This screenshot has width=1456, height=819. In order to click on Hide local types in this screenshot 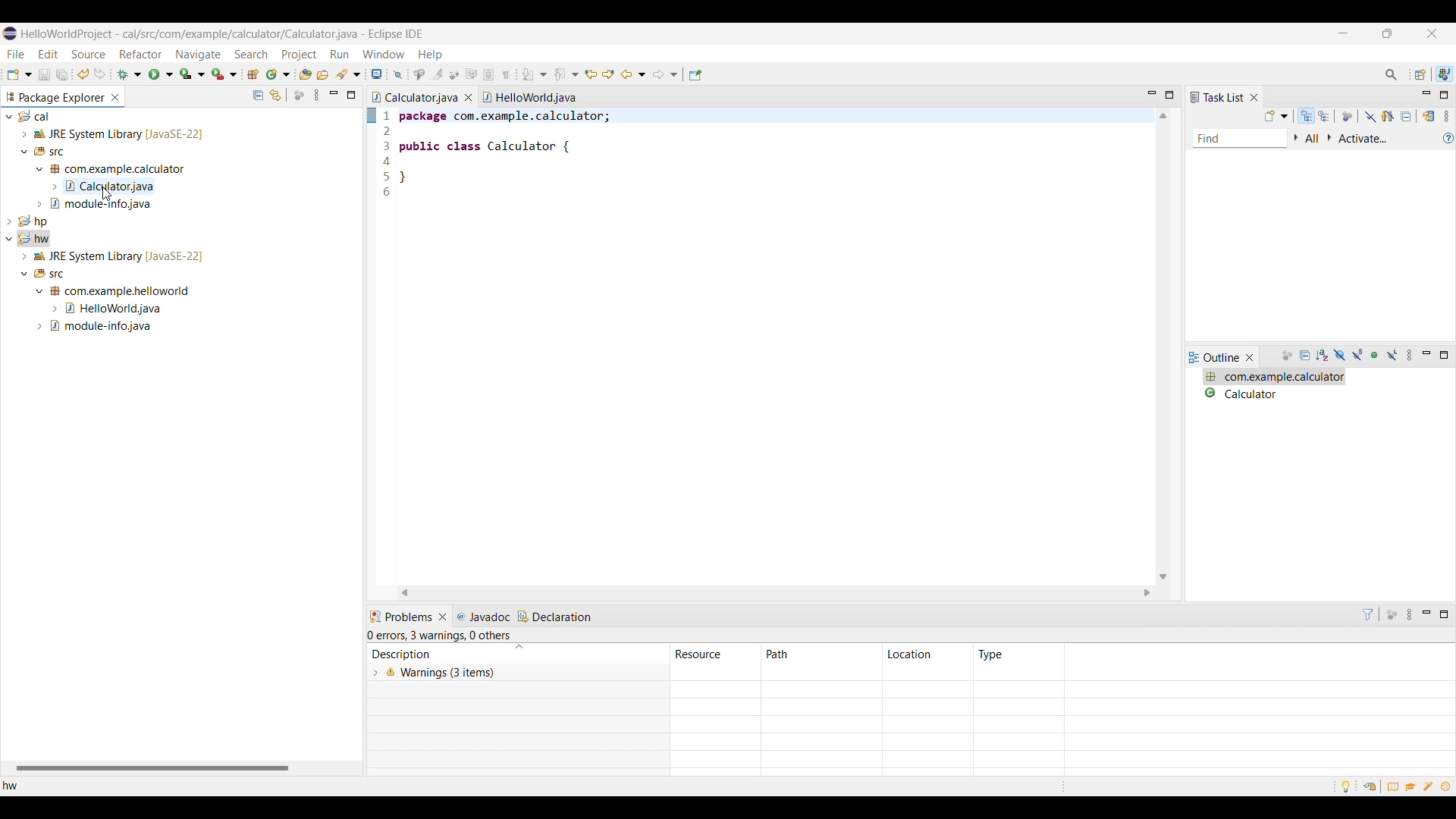, I will do `click(1392, 356)`.